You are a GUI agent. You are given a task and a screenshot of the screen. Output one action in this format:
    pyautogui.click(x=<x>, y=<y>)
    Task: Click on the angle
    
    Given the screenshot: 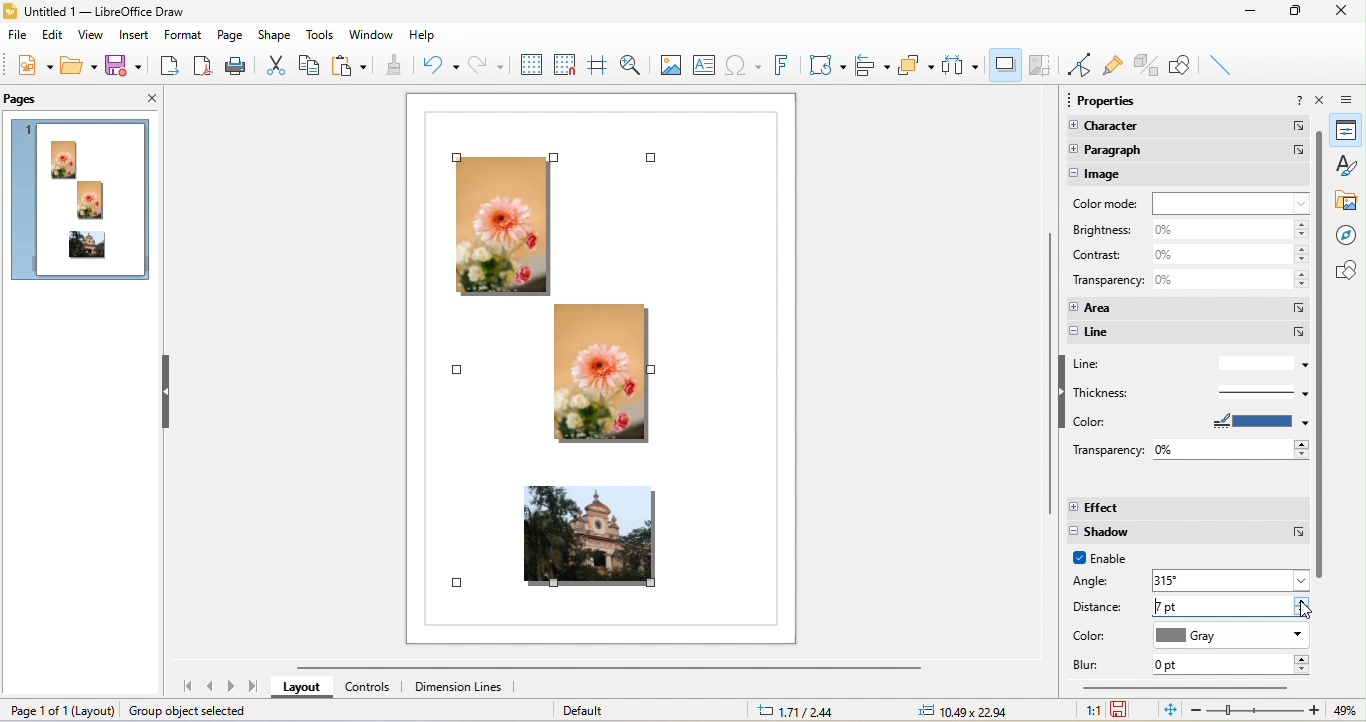 What is the action you would take?
    pyautogui.click(x=1102, y=582)
    